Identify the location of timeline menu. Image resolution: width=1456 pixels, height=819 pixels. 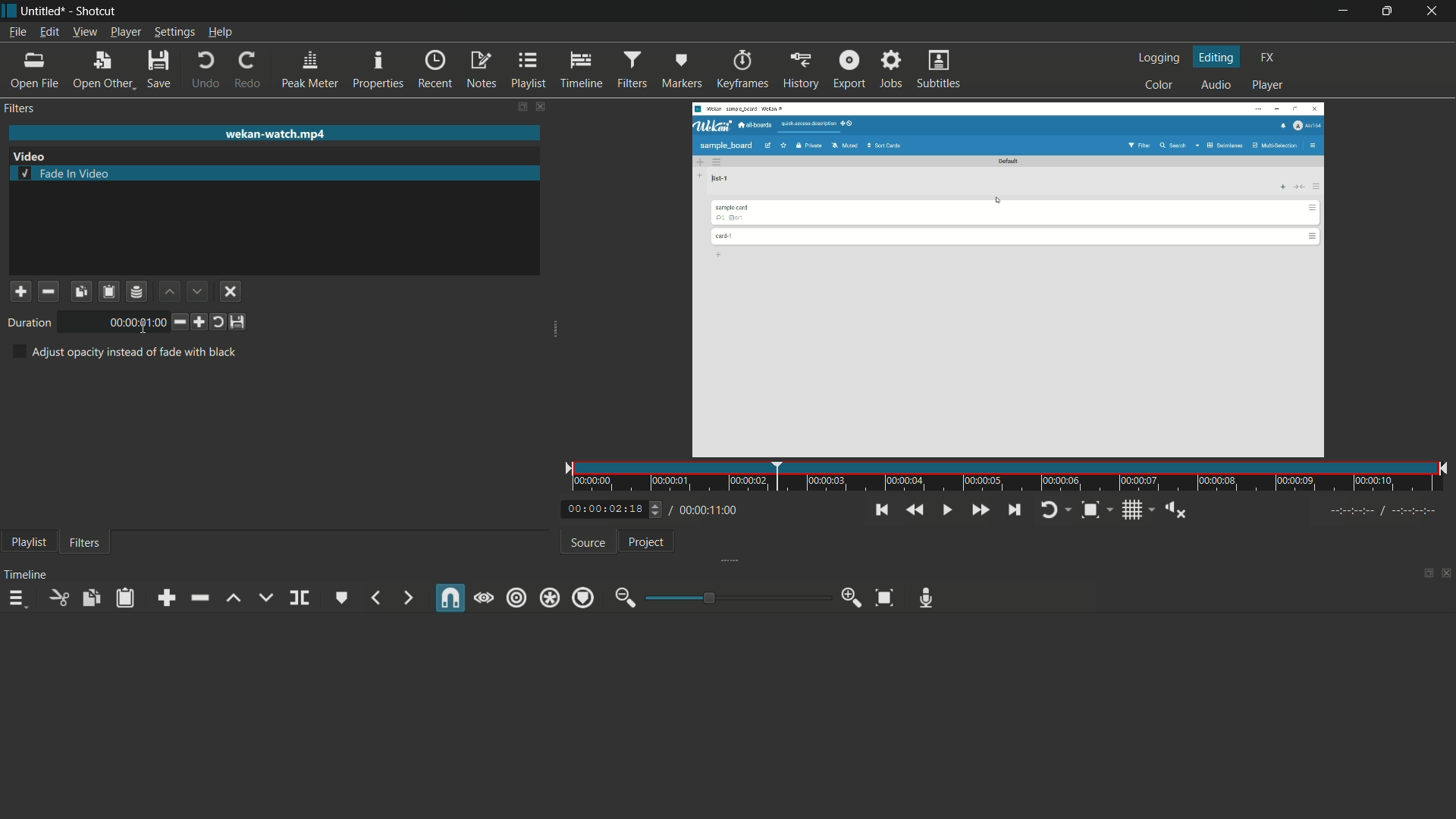
(17, 598).